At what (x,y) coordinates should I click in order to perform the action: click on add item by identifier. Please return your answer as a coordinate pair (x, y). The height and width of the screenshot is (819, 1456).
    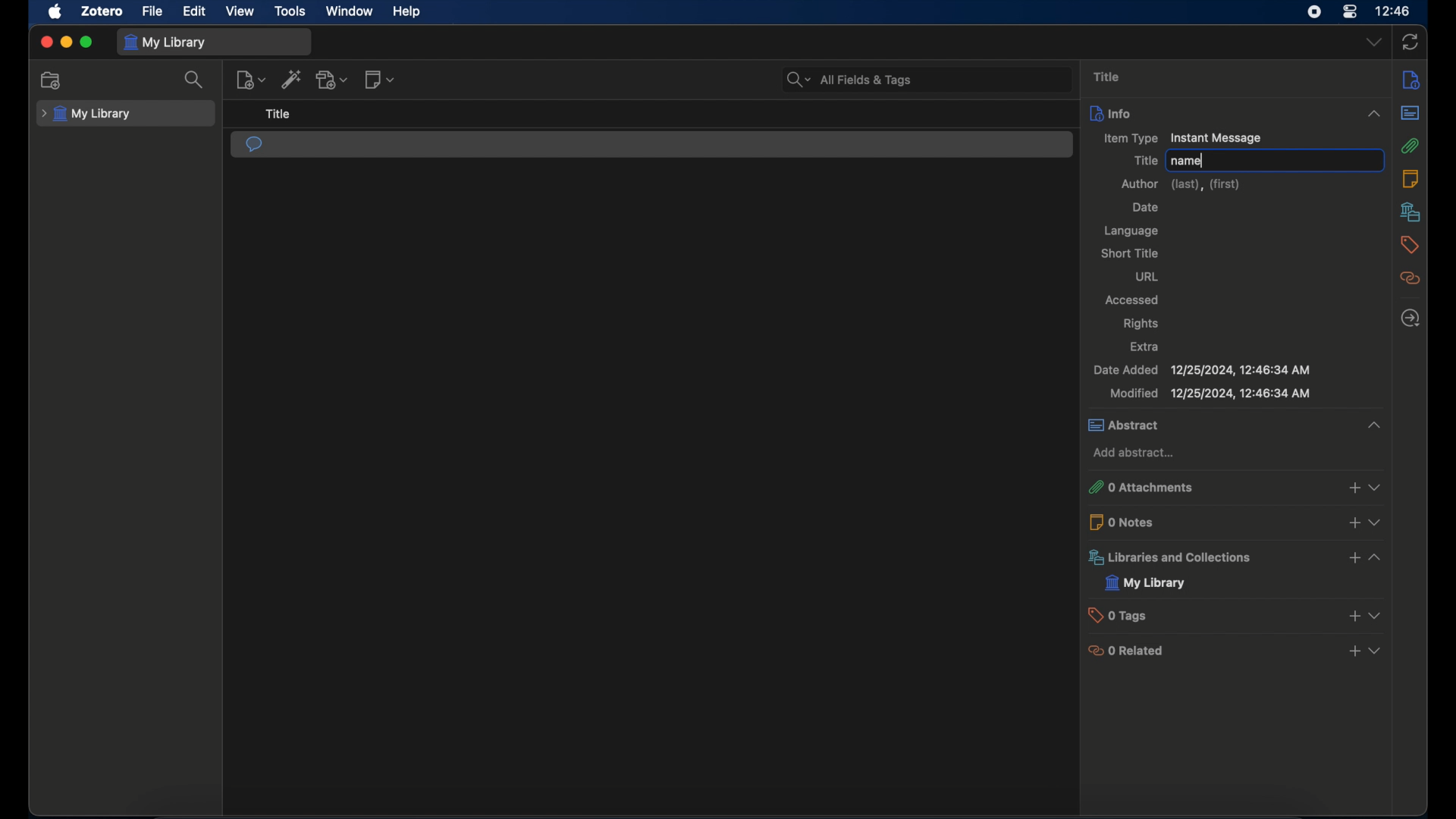
    Looking at the image, I should click on (292, 80).